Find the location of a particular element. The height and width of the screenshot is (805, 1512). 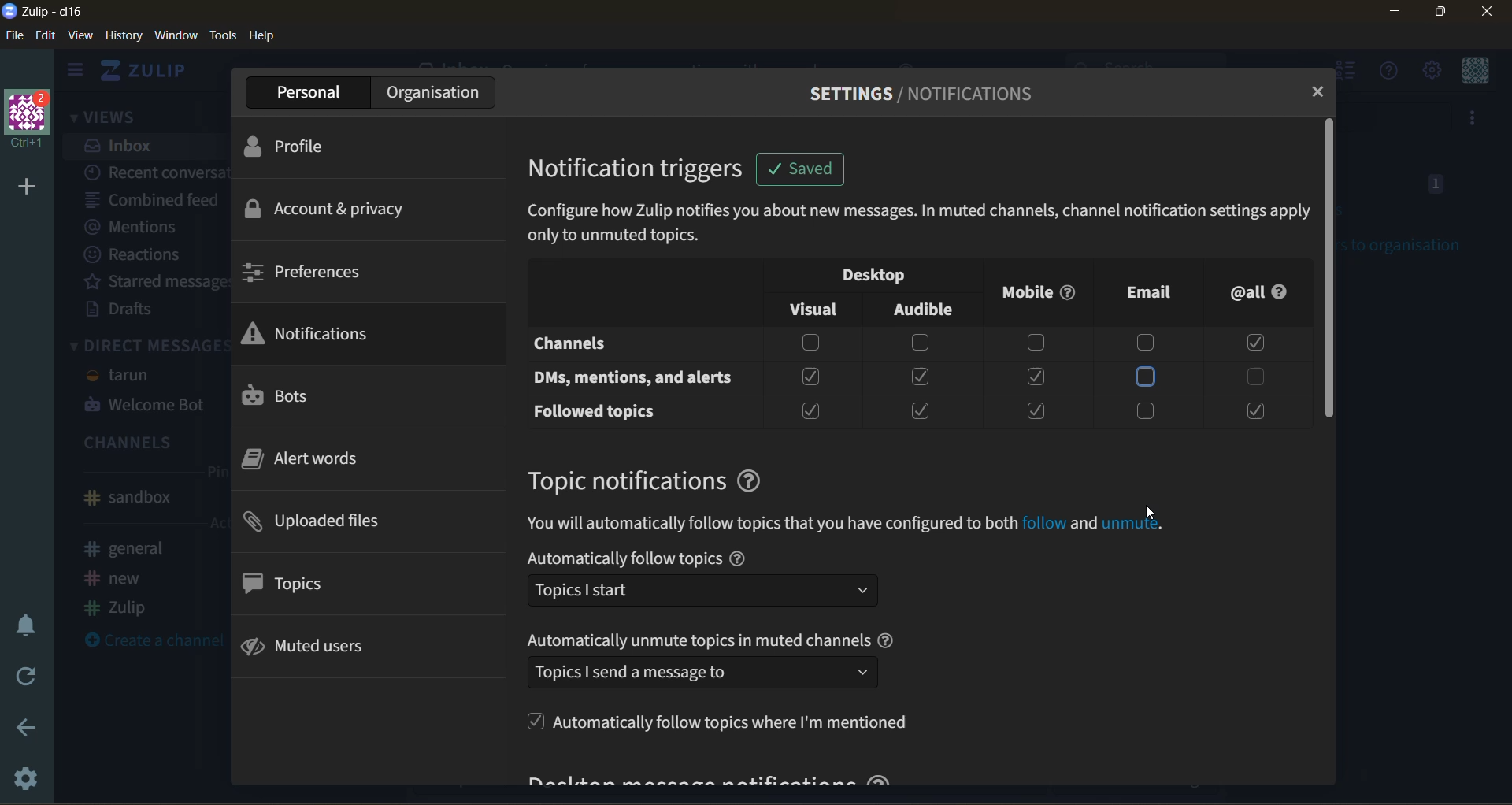

window is located at coordinates (177, 36).